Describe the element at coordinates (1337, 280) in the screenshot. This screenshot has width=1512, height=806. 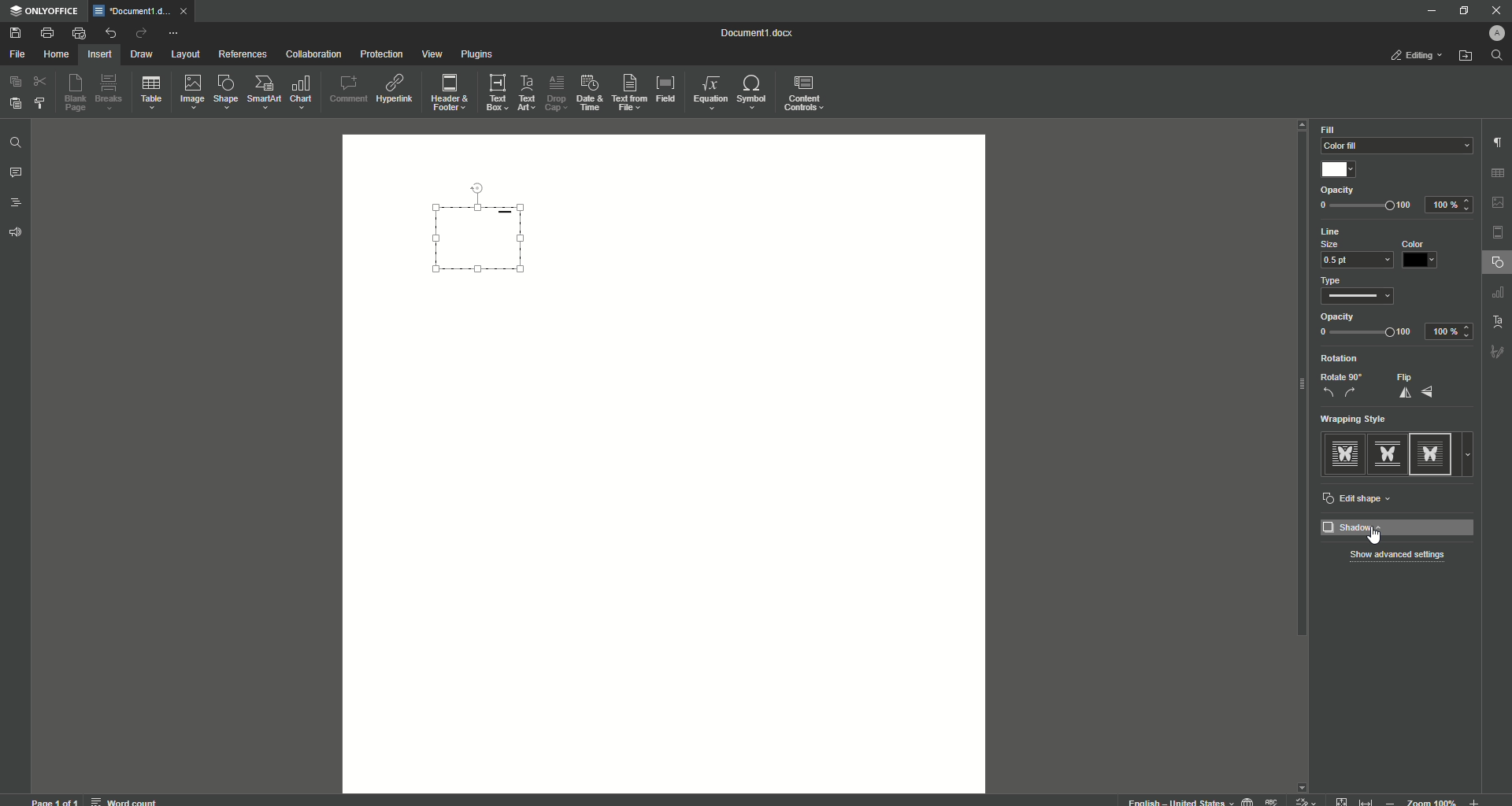
I see `Type` at that location.